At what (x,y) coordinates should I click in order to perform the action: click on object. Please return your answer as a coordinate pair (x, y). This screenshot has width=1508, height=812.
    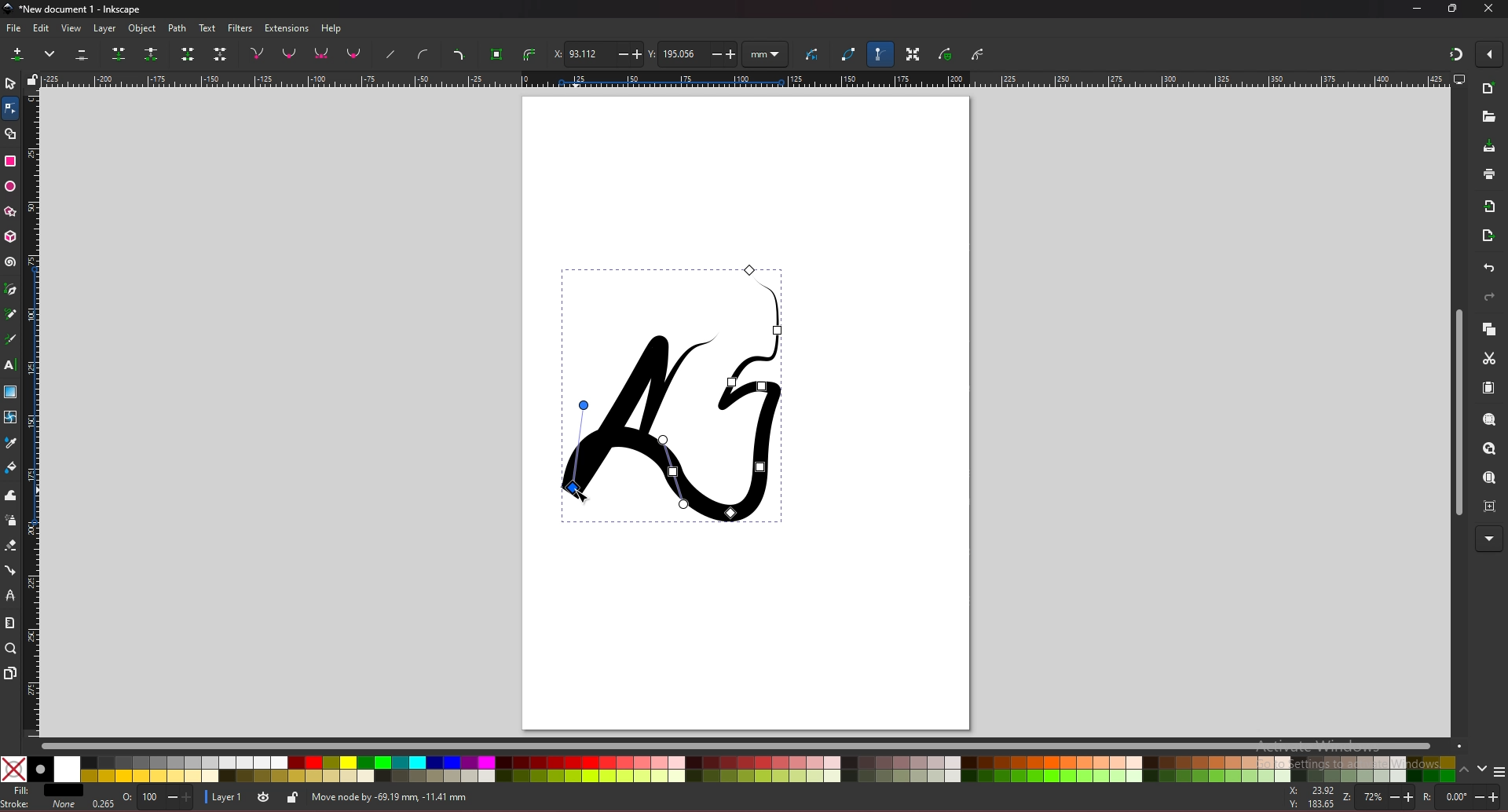
    Looking at the image, I should click on (144, 29).